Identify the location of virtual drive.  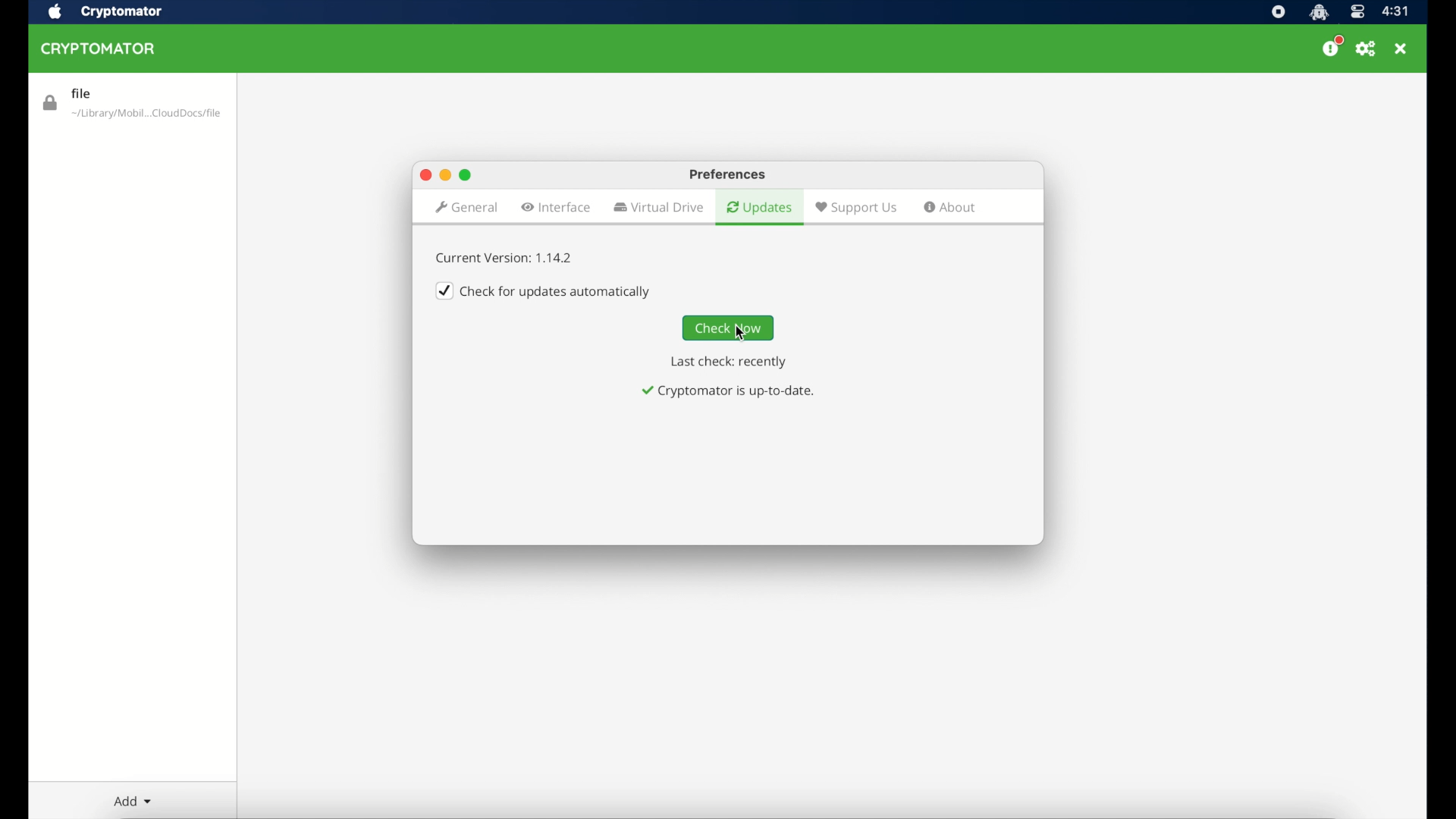
(659, 208).